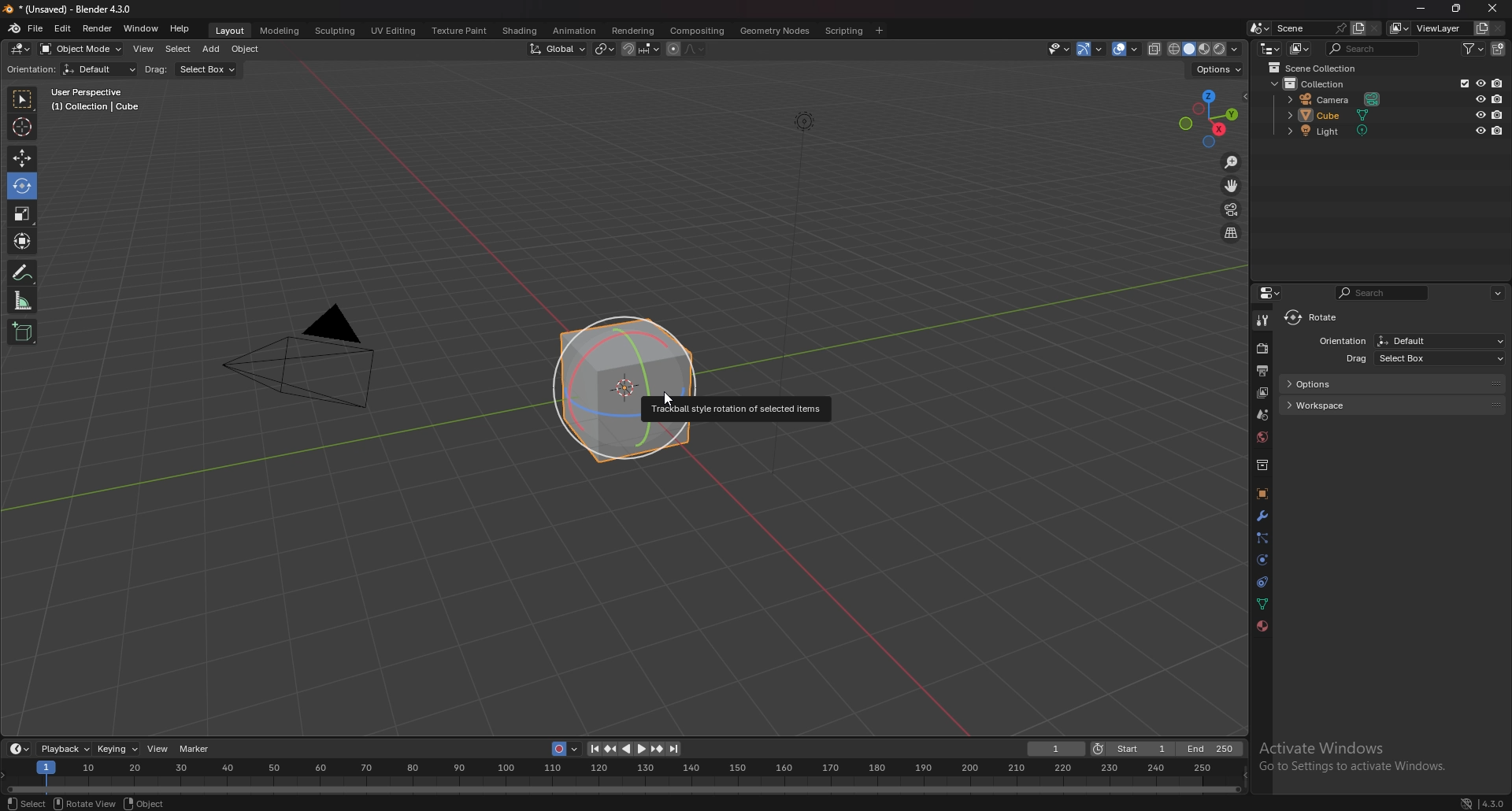  What do you see at coordinates (21, 126) in the screenshot?
I see `cursor` at bounding box center [21, 126].